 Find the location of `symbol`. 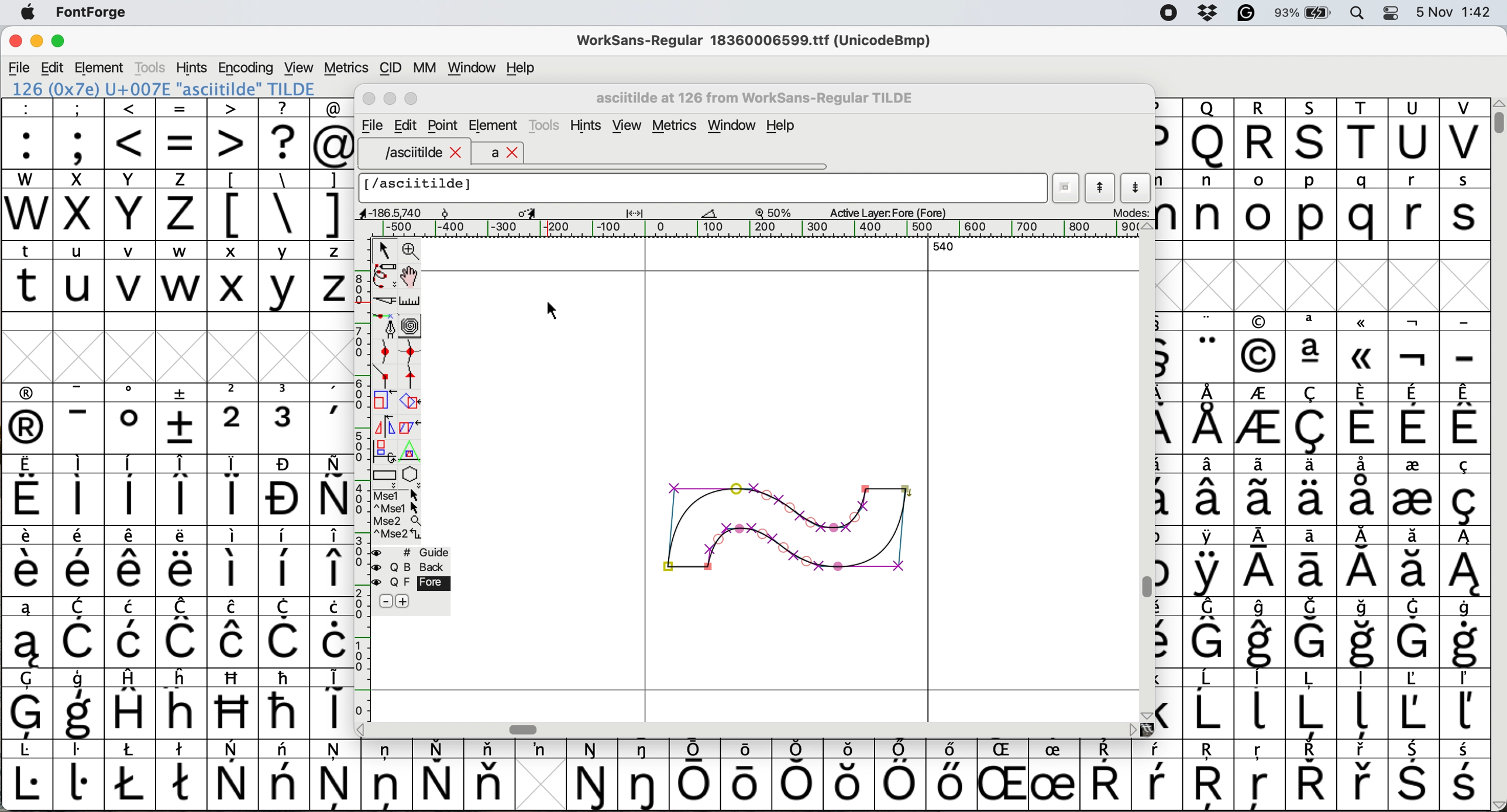

symbol is located at coordinates (1464, 562).